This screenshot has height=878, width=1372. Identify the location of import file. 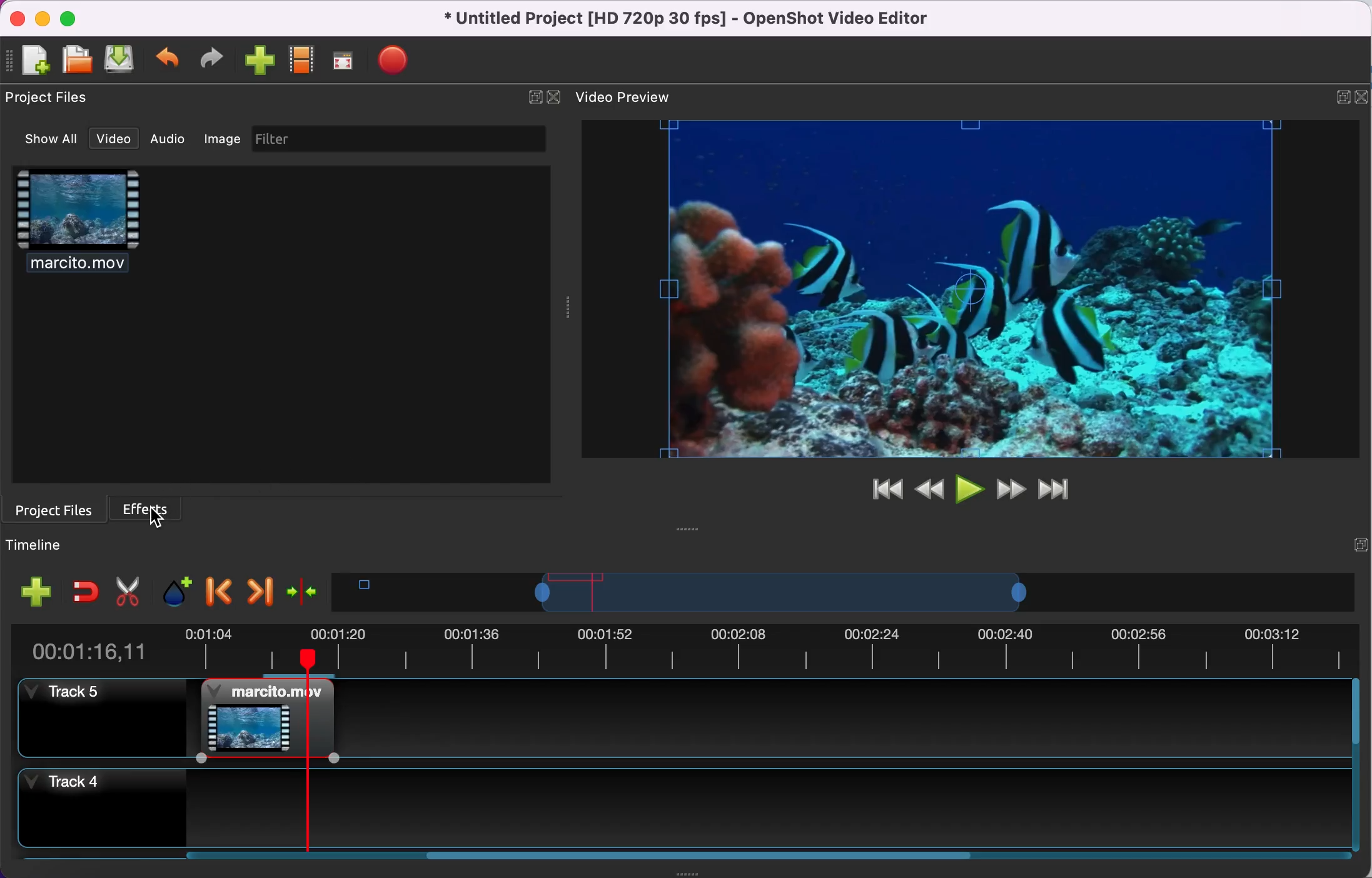
(258, 62).